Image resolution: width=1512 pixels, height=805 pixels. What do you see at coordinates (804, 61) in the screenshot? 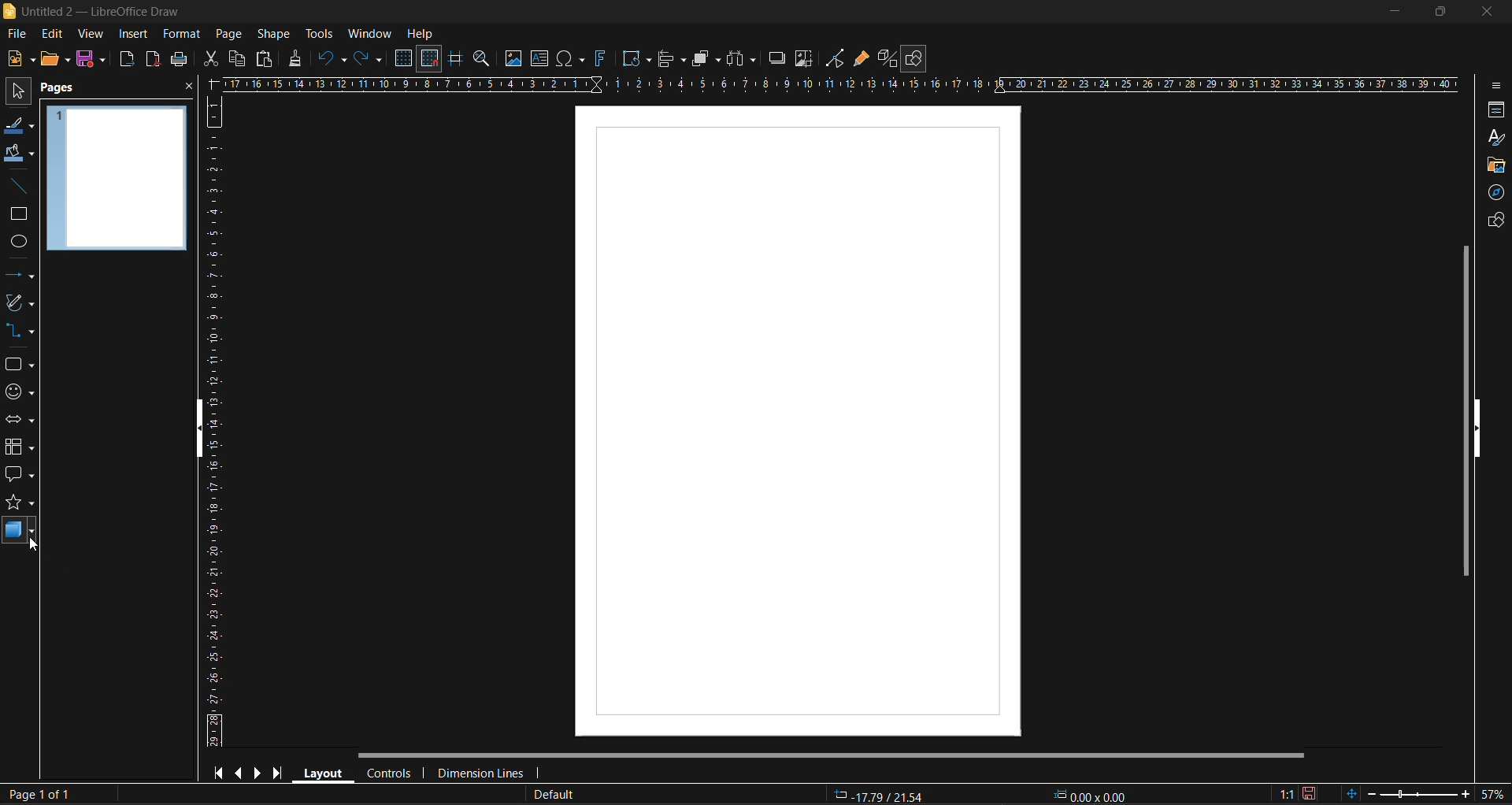
I see `crop image` at bounding box center [804, 61].